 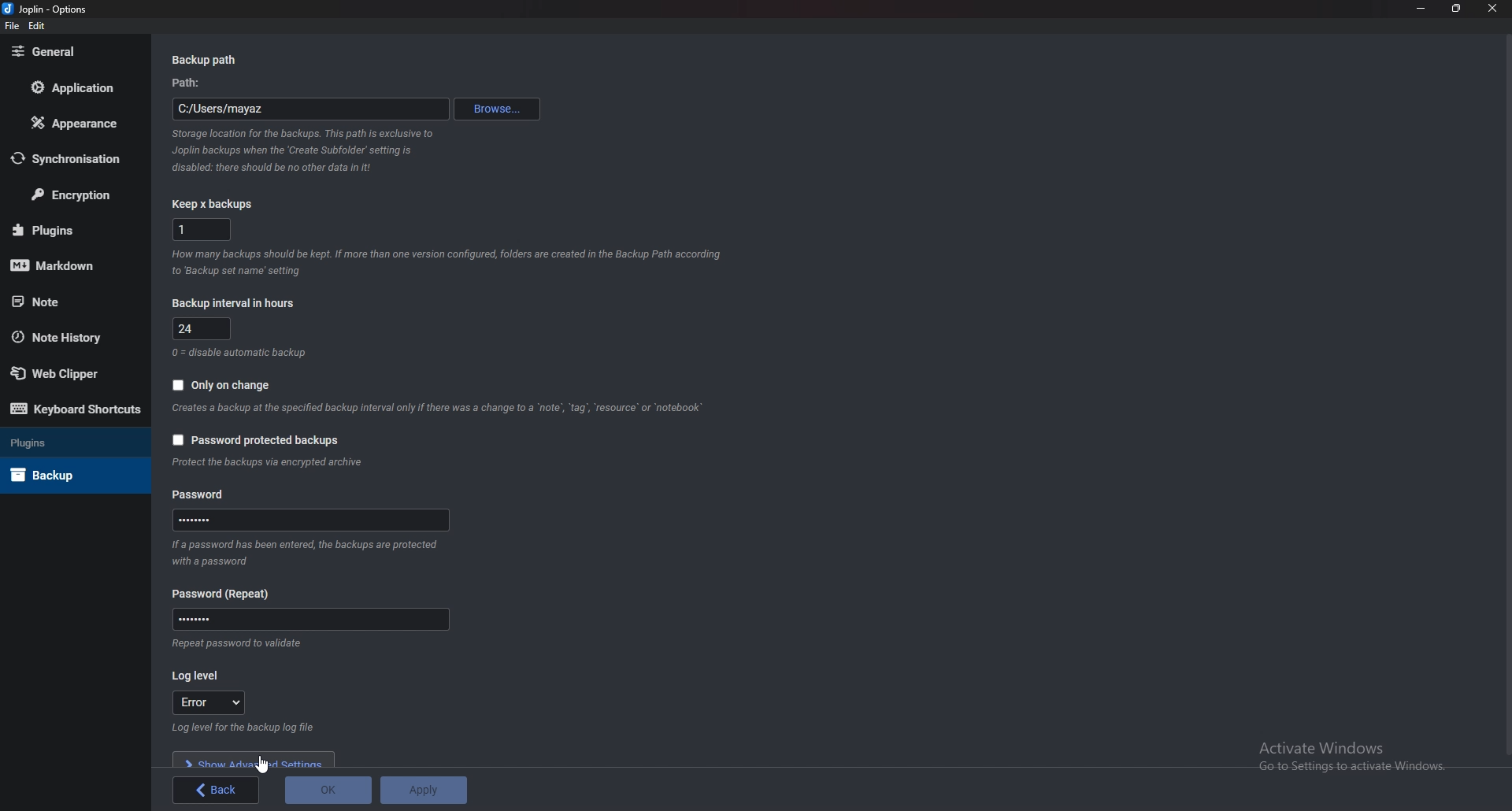 I want to click on note, so click(x=64, y=302).